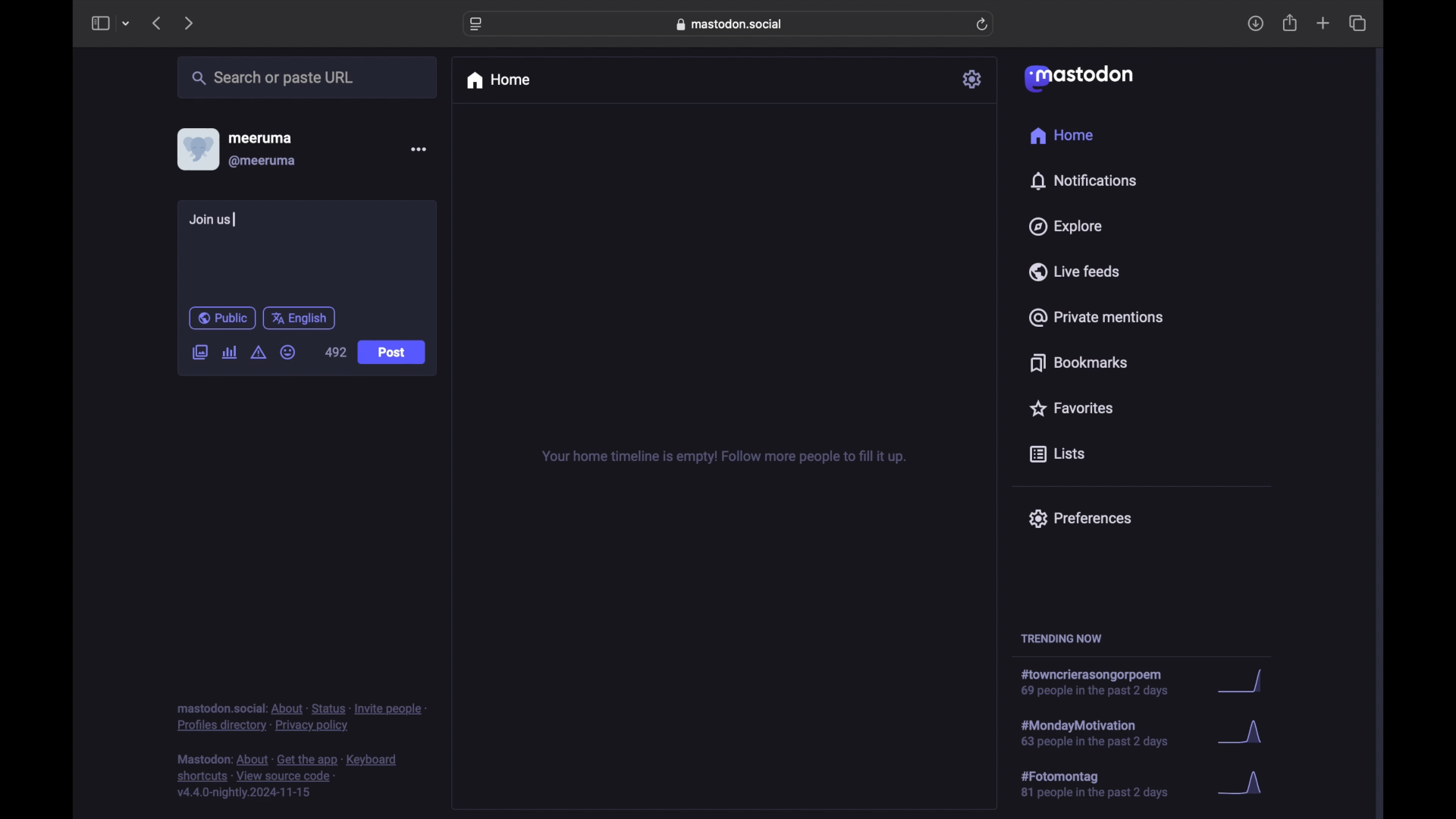 This screenshot has width=1456, height=819. Describe the element at coordinates (258, 353) in the screenshot. I see `add content warning` at that location.